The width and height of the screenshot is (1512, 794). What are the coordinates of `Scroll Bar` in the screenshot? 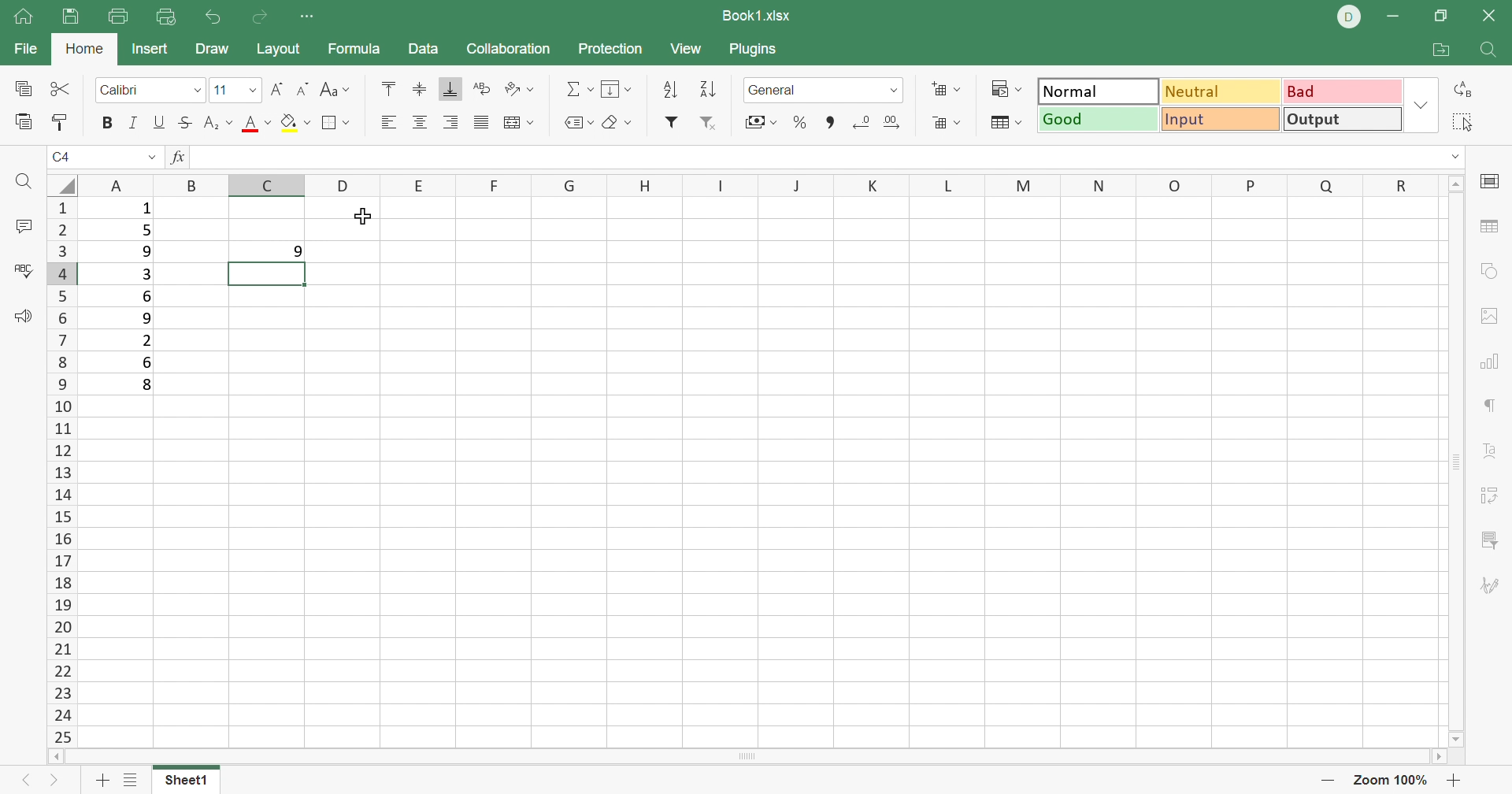 It's located at (753, 758).